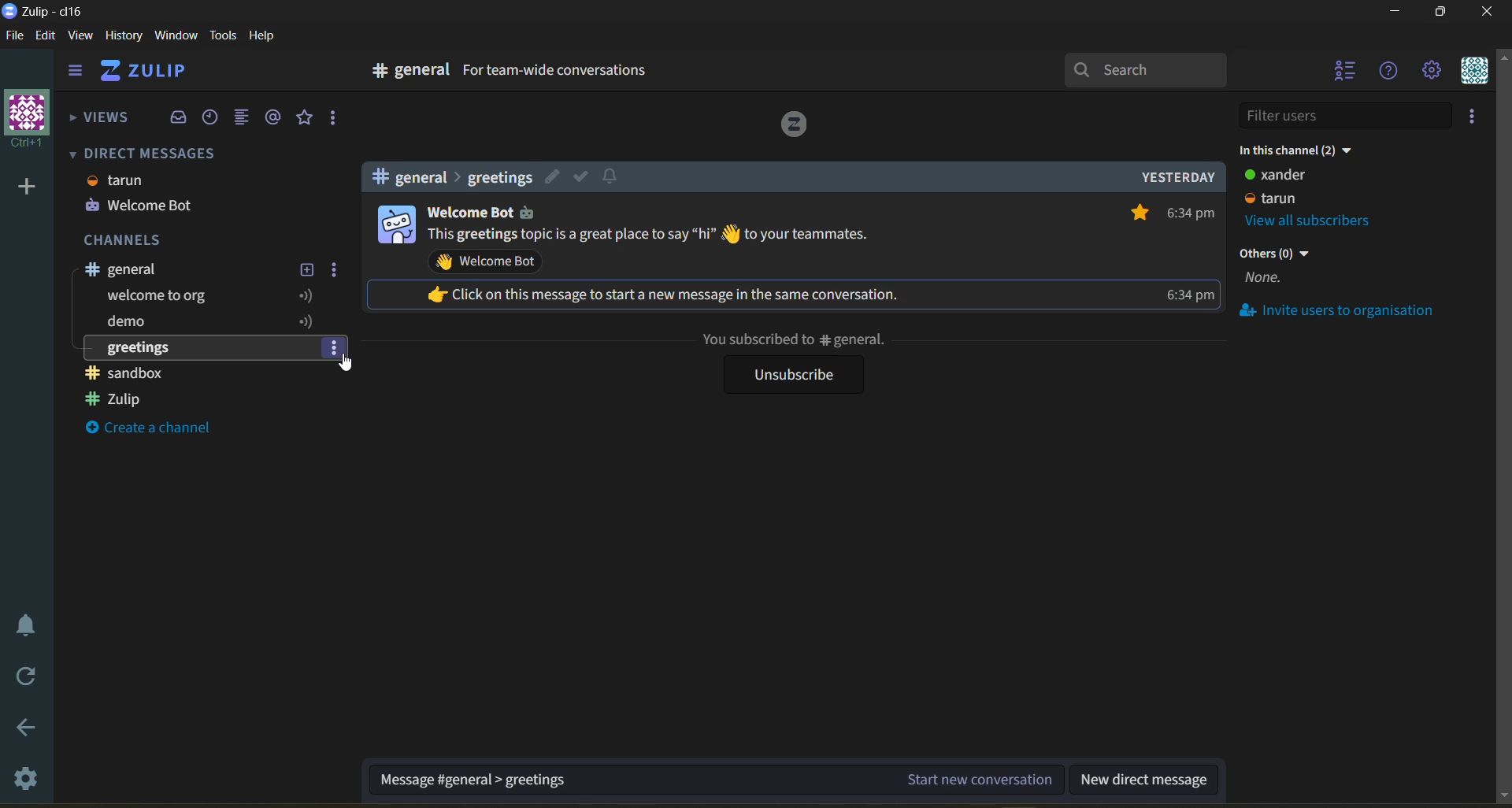  I want to click on channels, so click(135, 239).